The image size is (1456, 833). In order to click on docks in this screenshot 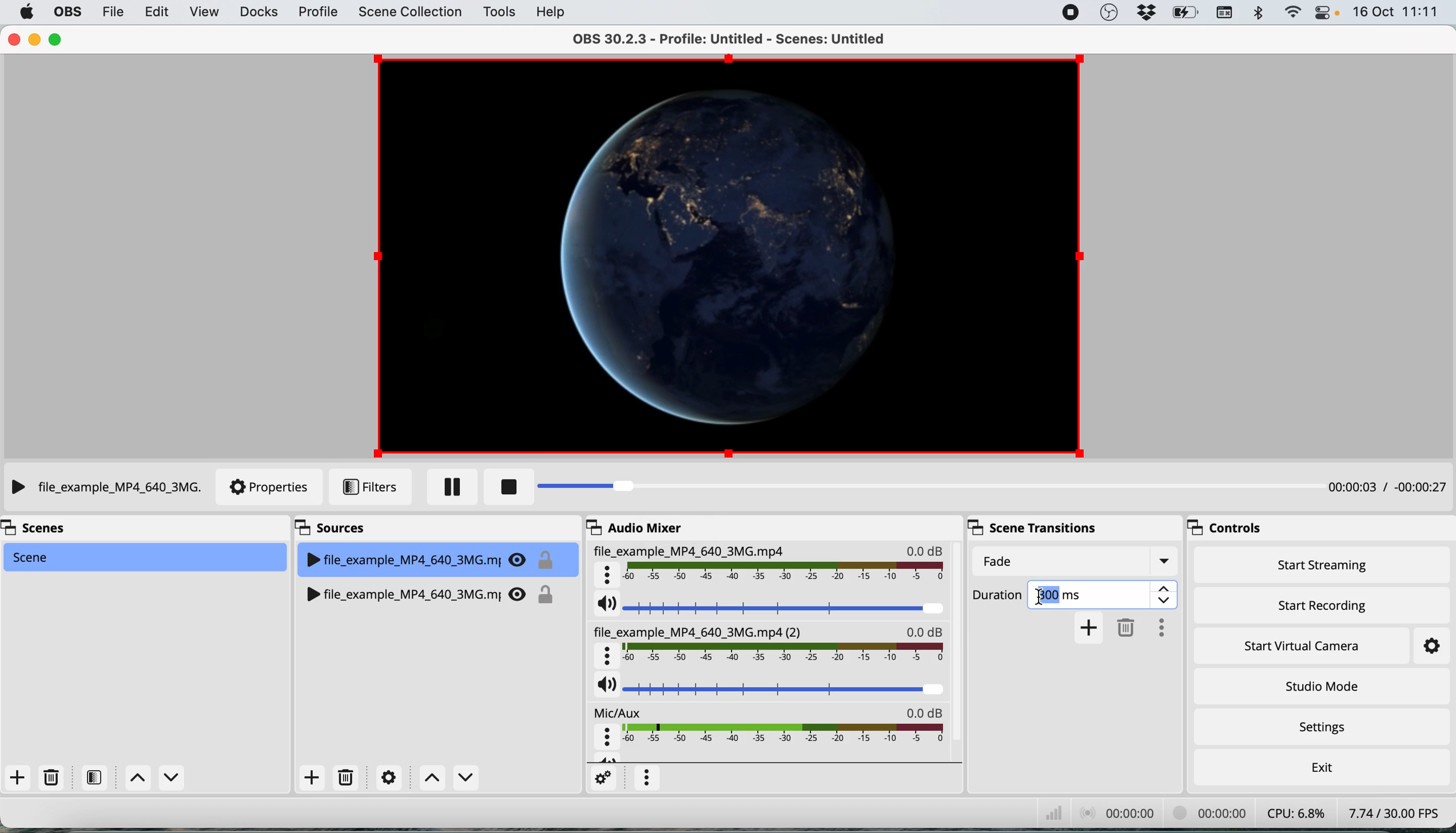, I will do `click(258, 14)`.